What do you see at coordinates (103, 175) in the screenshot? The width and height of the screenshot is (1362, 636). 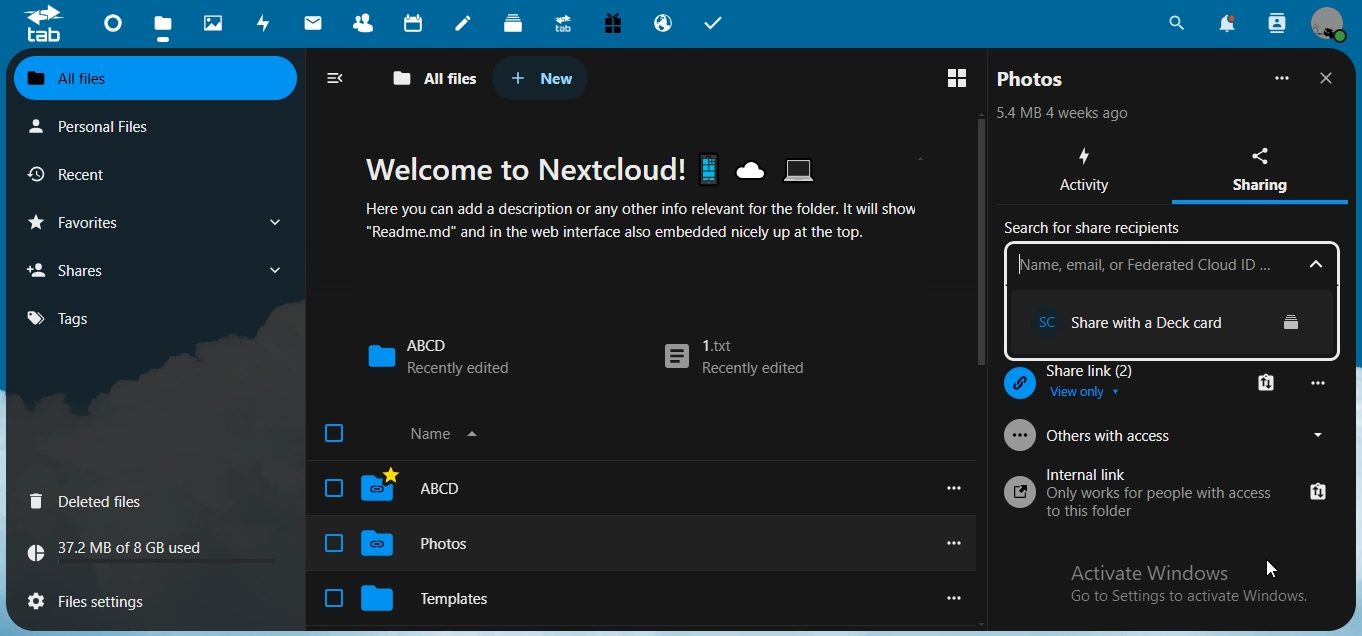 I see `recent` at bounding box center [103, 175].